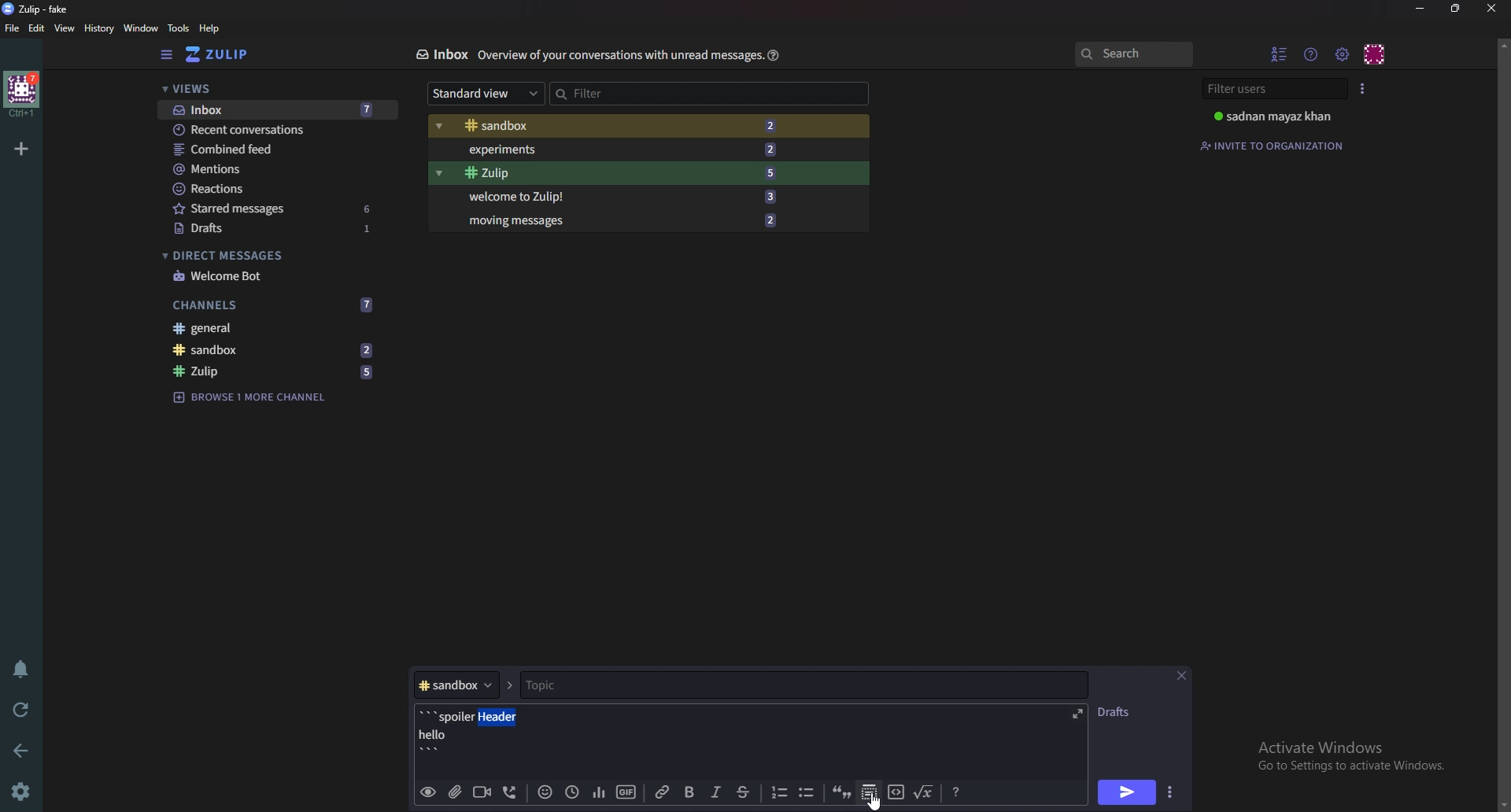 This screenshot has height=812, width=1511. I want to click on Invite to organization, so click(1279, 146).